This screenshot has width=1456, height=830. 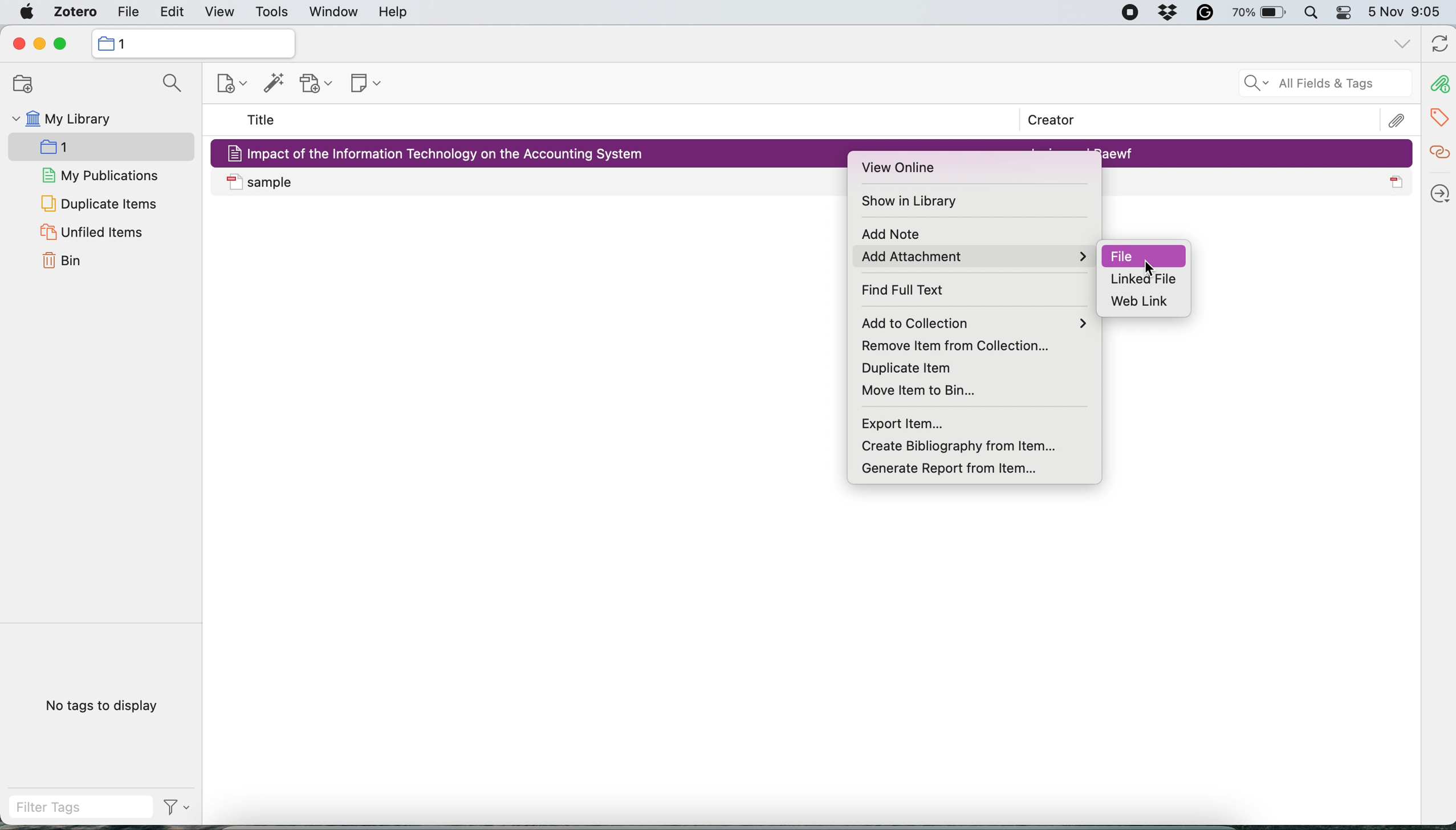 I want to click on Impact of the Information Technology on the Accounting System  Jasim and Raewf, so click(x=1258, y=153).